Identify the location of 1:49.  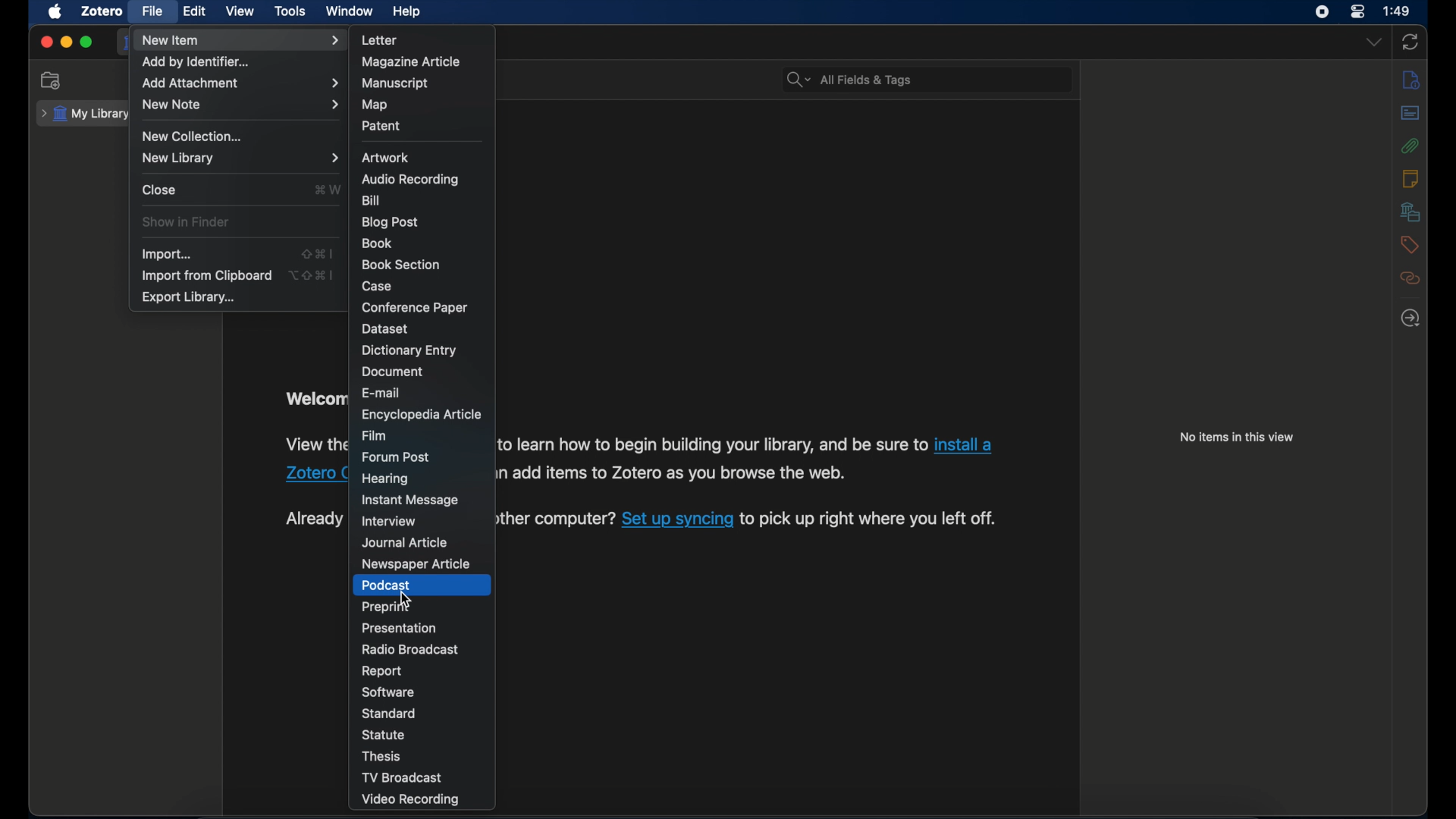
(1397, 10).